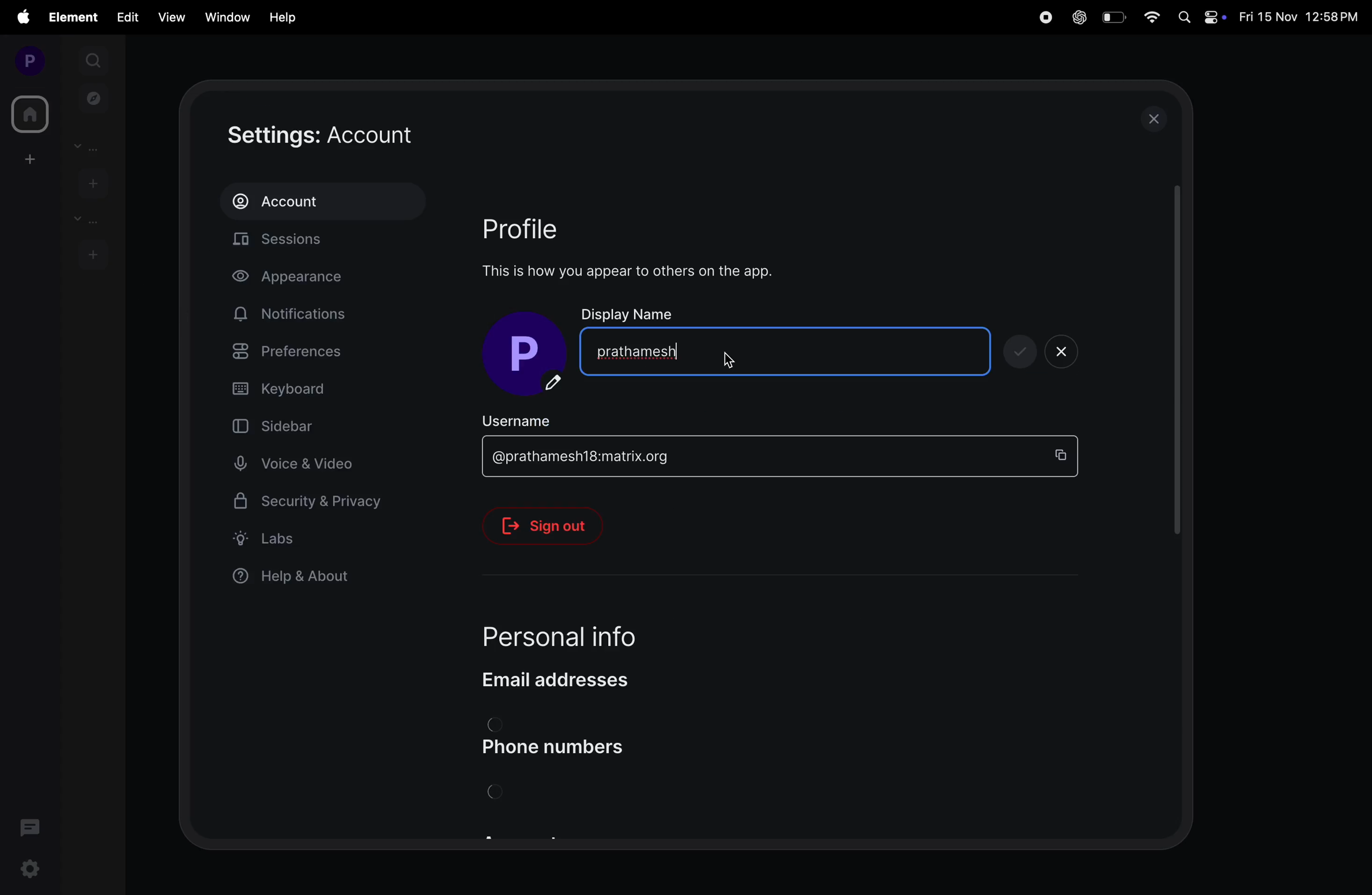 Image resolution: width=1372 pixels, height=895 pixels. I want to click on profle, so click(537, 227).